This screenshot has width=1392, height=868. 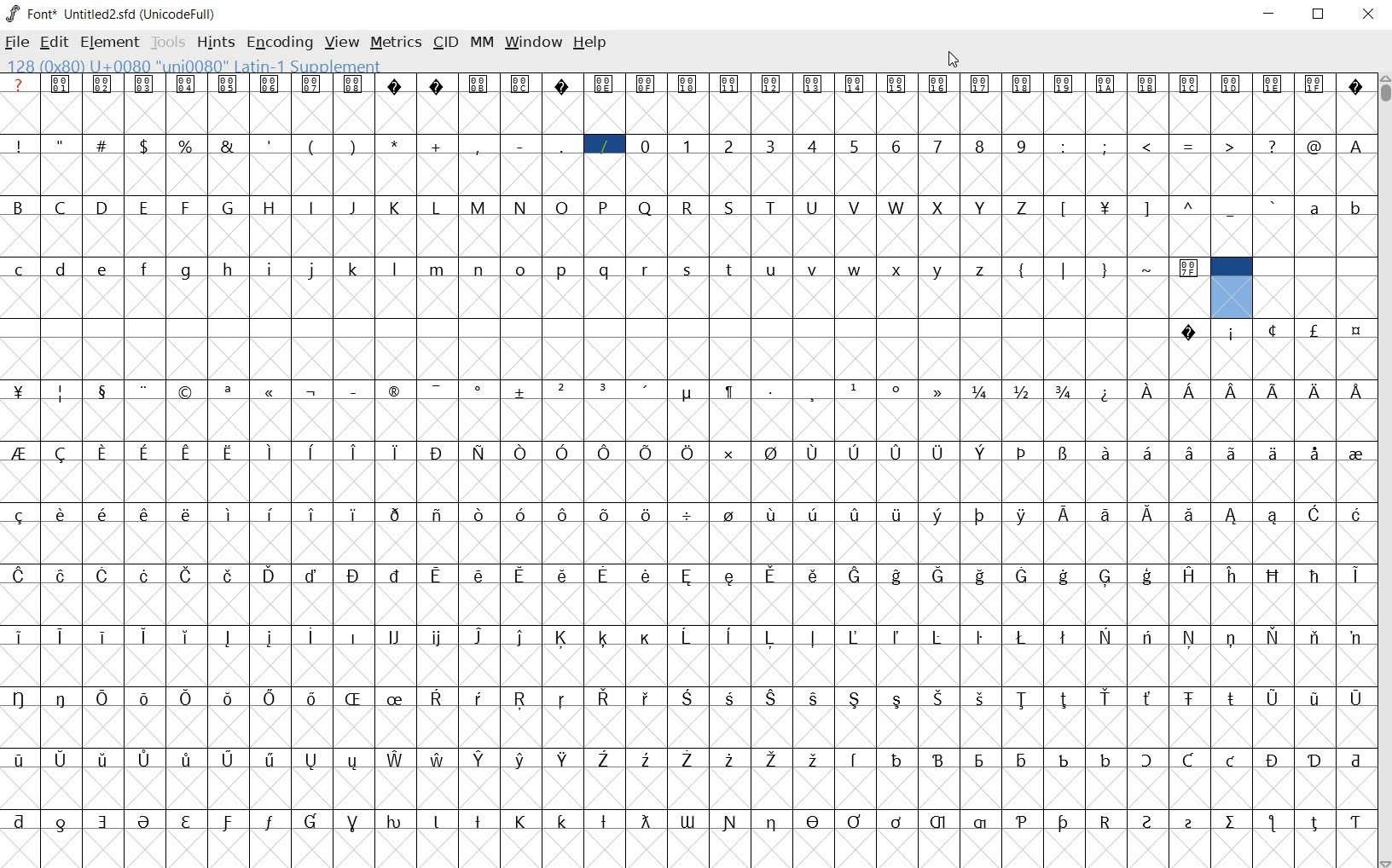 I want to click on Symbol, so click(x=687, y=512).